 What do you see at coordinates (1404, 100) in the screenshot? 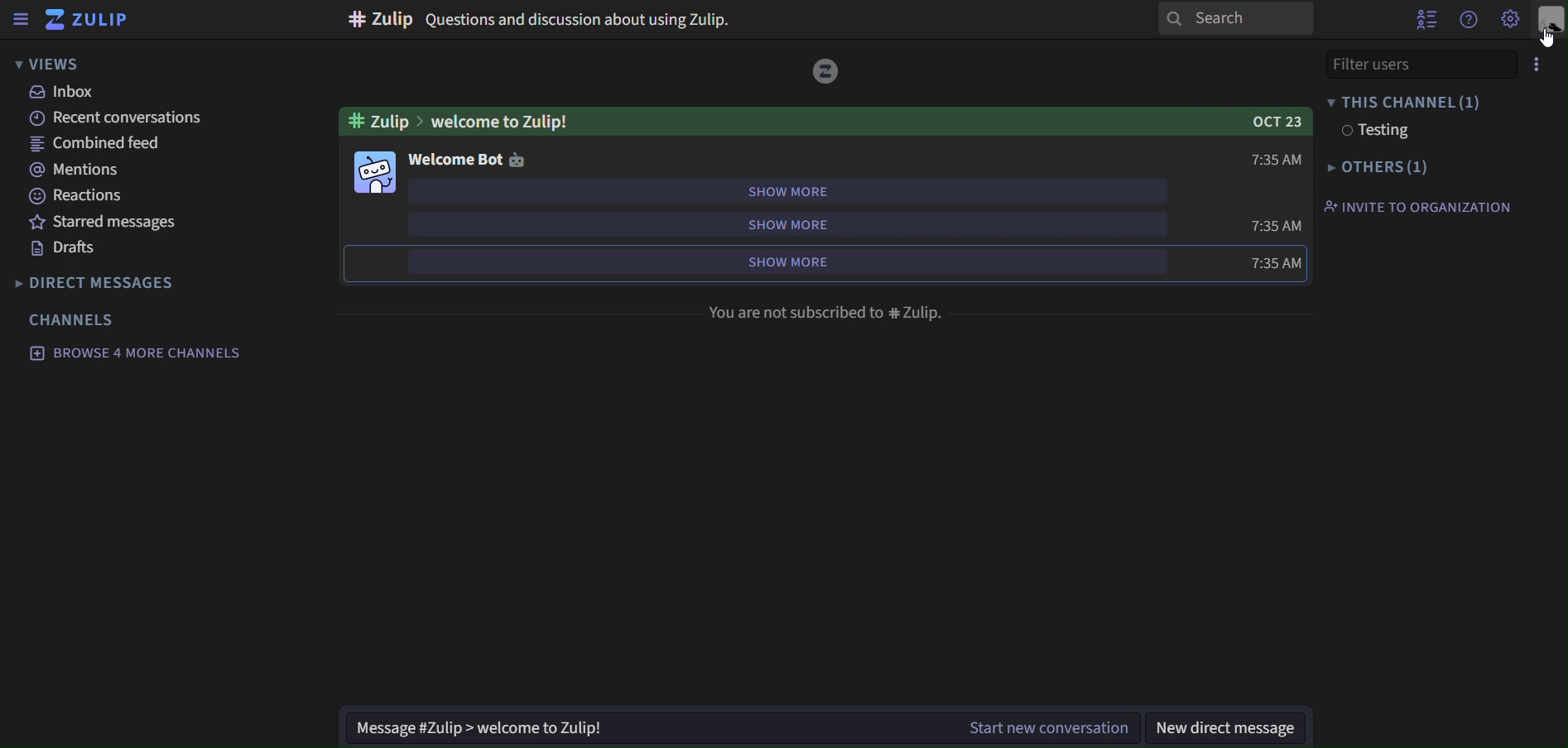
I see `this channel` at bounding box center [1404, 100].